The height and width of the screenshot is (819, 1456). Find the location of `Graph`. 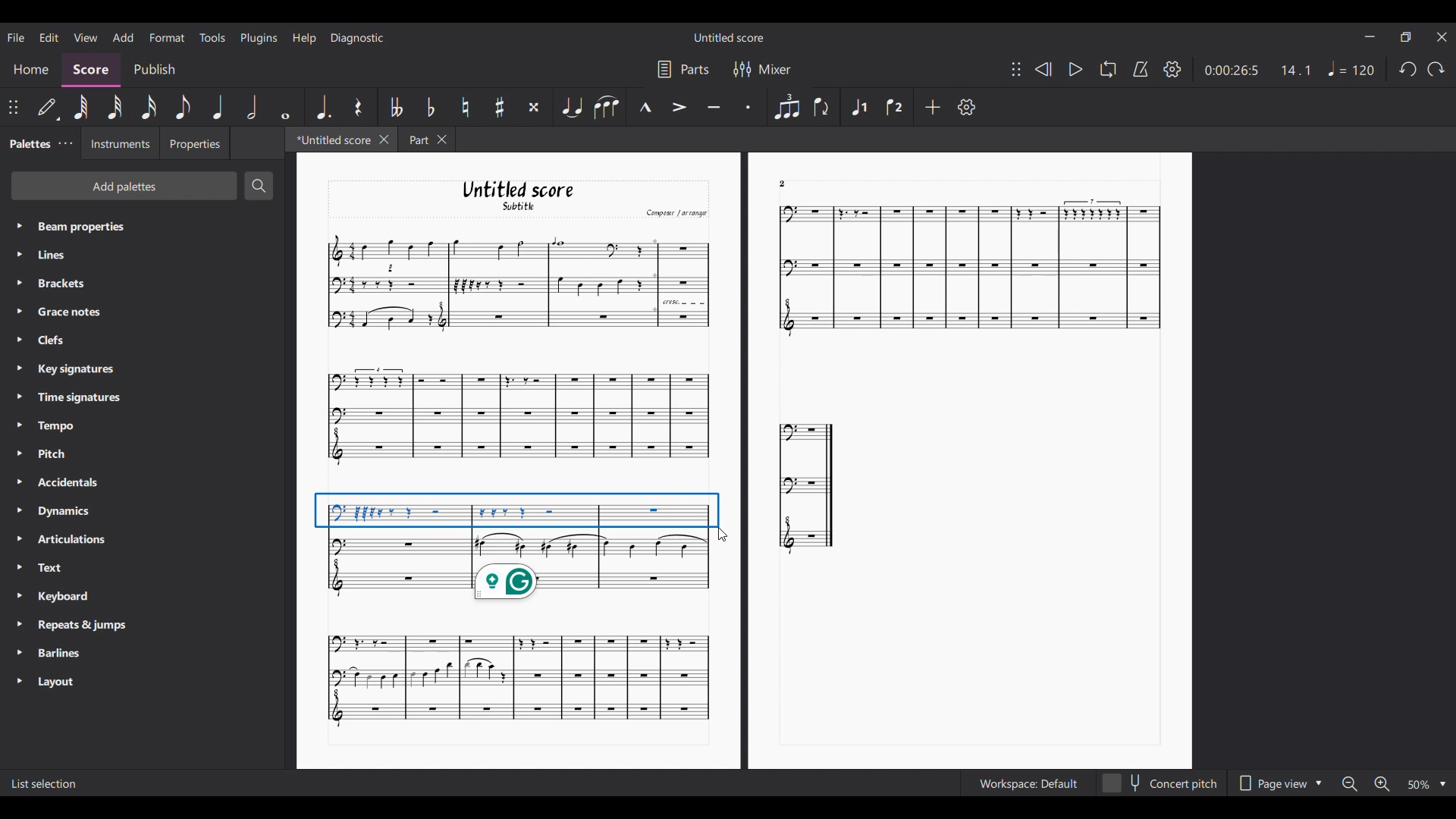

Graph is located at coordinates (963, 270).